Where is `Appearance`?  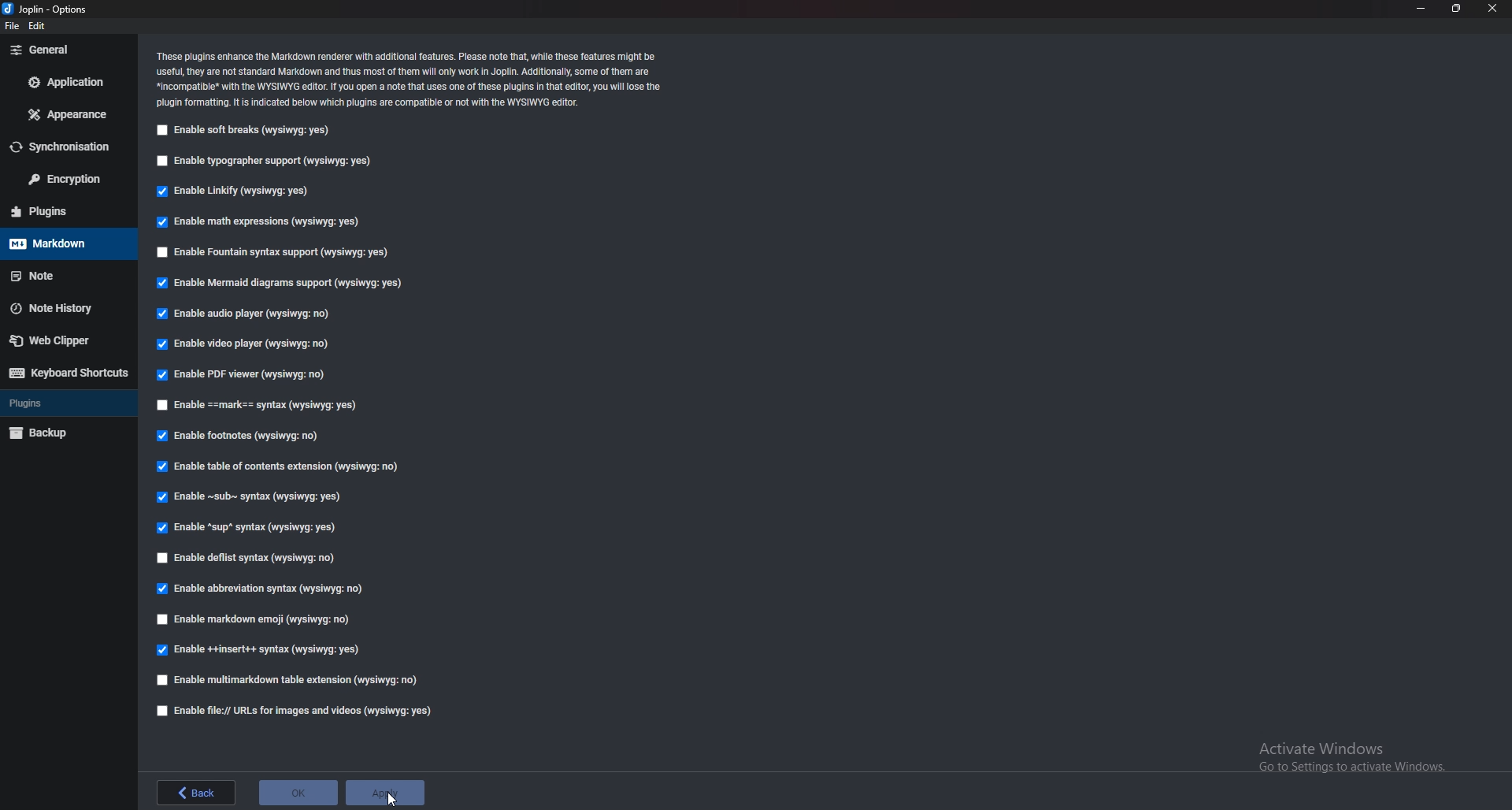
Appearance is located at coordinates (70, 113).